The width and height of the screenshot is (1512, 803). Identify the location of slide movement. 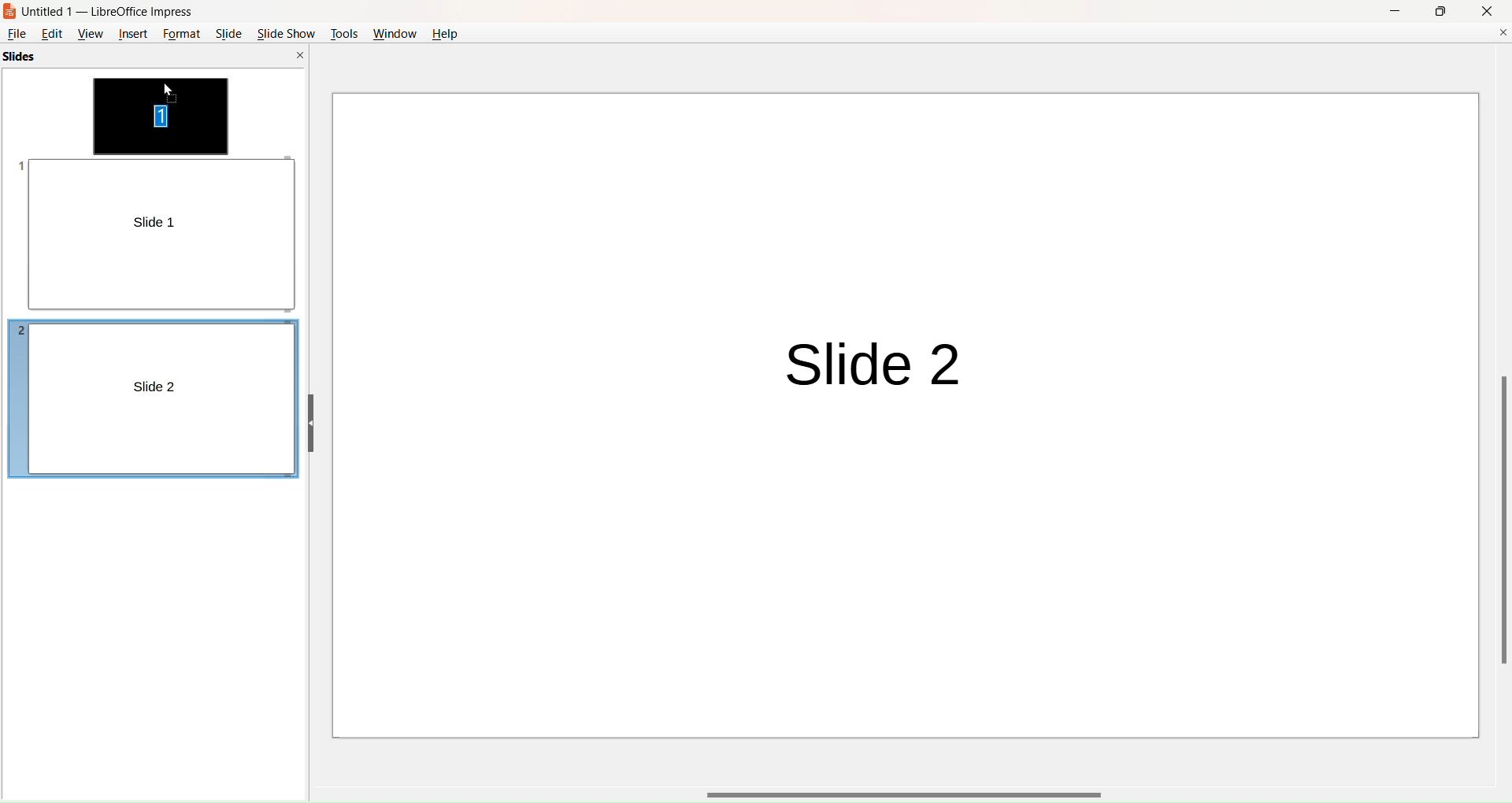
(159, 114).